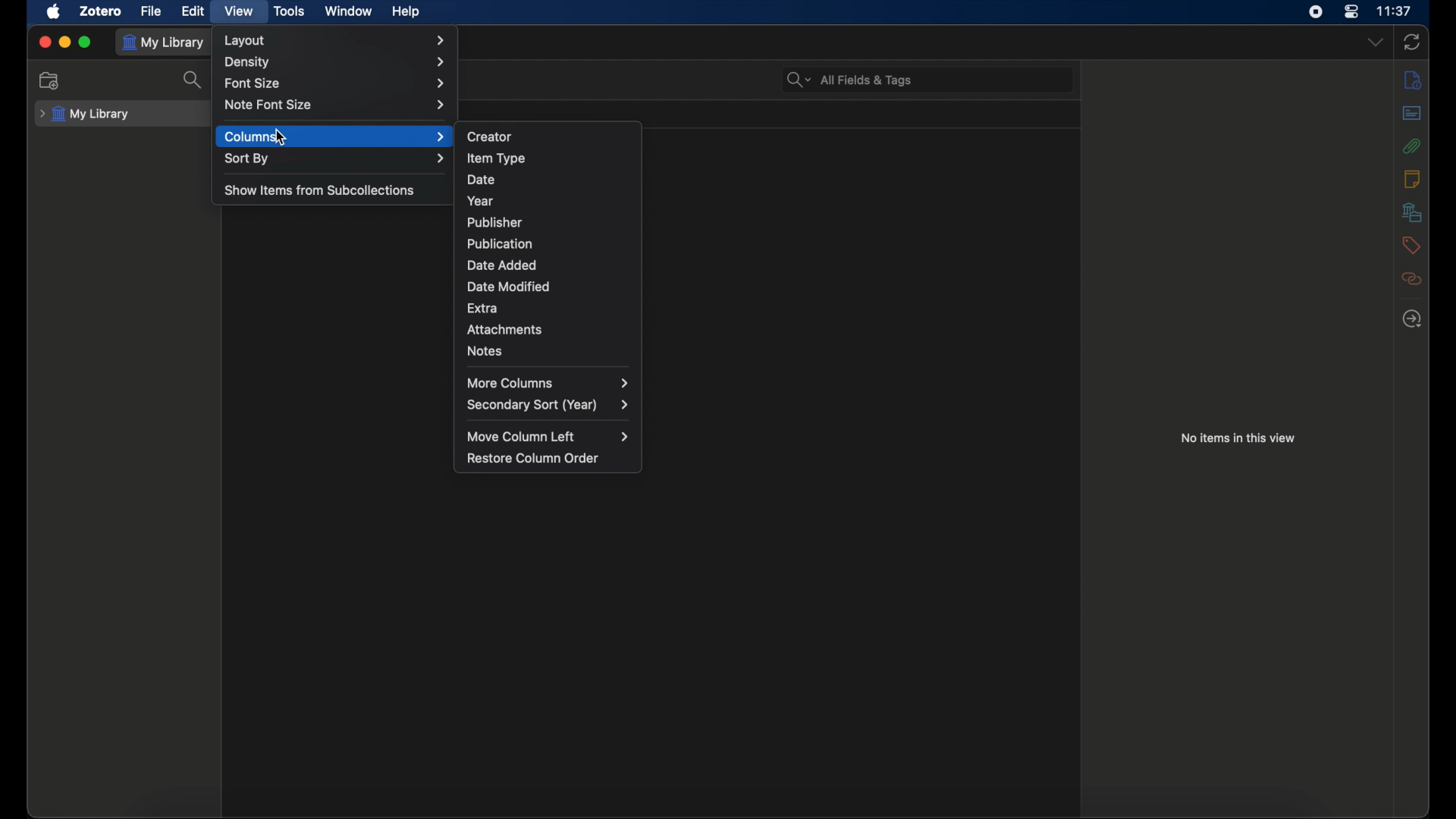 The width and height of the screenshot is (1456, 819). What do you see at coordinates (1412, 212) in the screenshot?
I see `libraries` at bounding box center [1412, 212].